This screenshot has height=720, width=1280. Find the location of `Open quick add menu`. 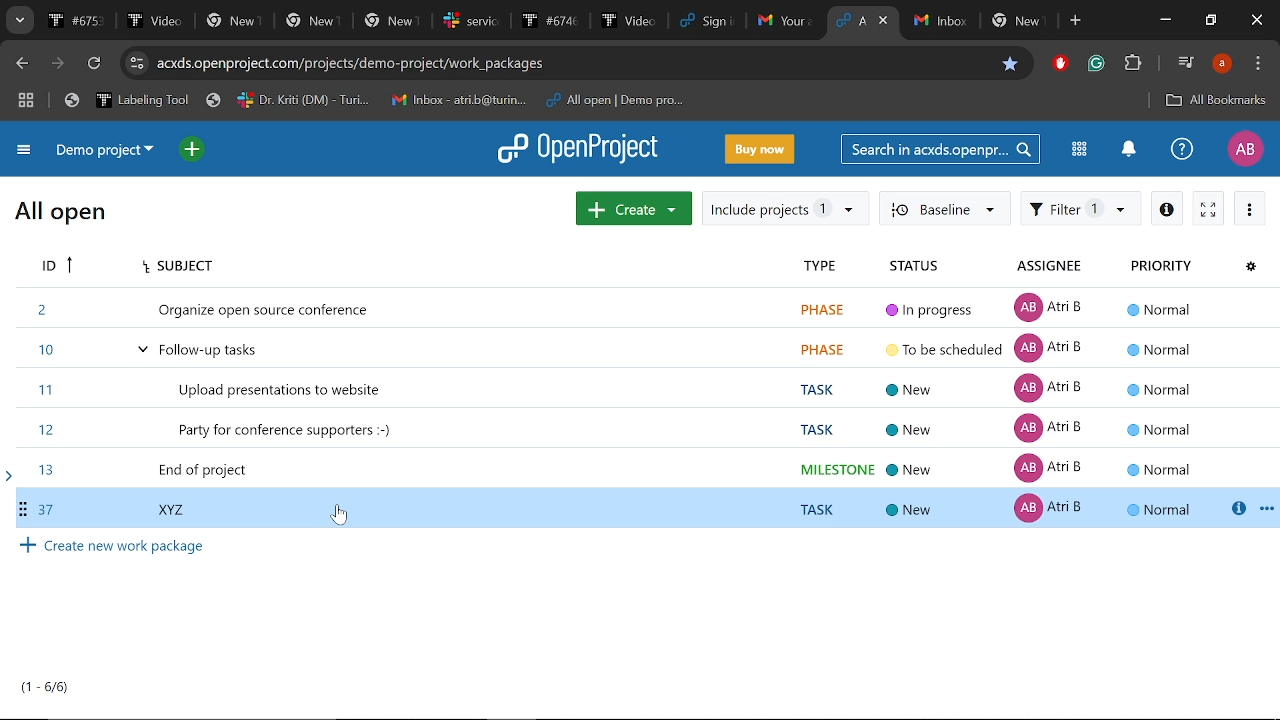

Open quick add menu is located at coordinates (194, 150).